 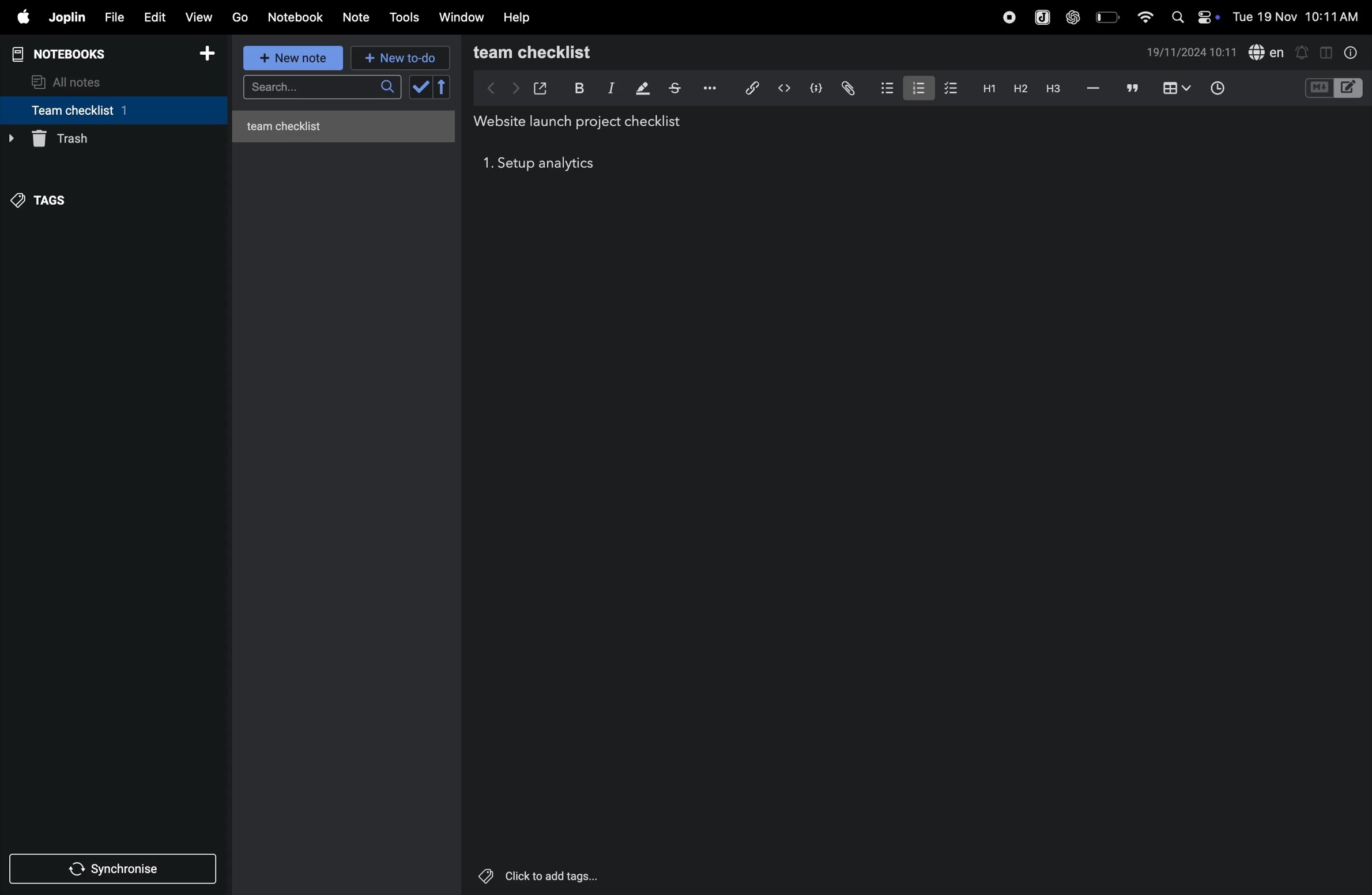 What do you see at coordinates (1175, 88) in the screenshot?
I see `table` at bounding box center [1175, 88].